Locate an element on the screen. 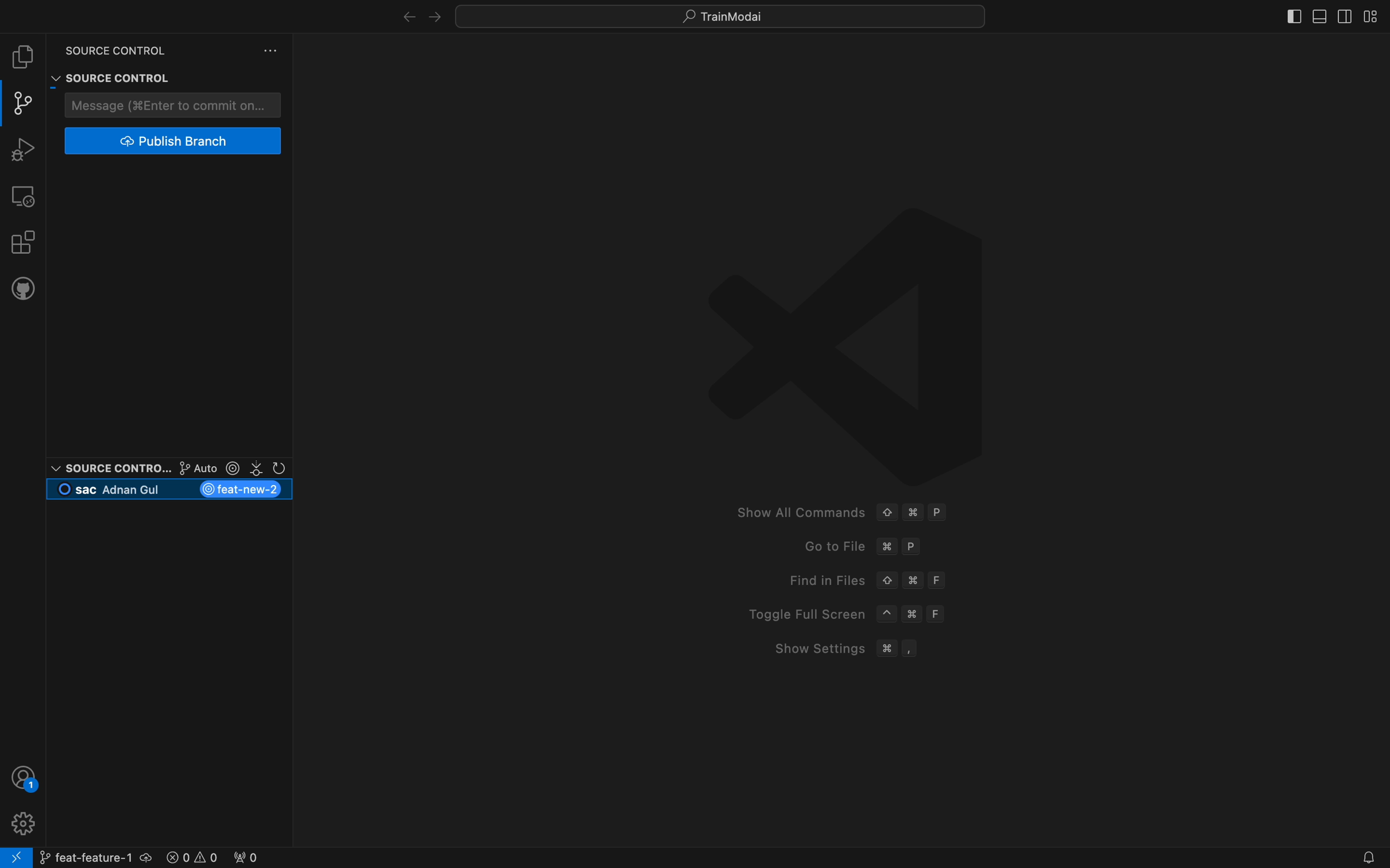  Show Settings is located at coordinates (811, 648).